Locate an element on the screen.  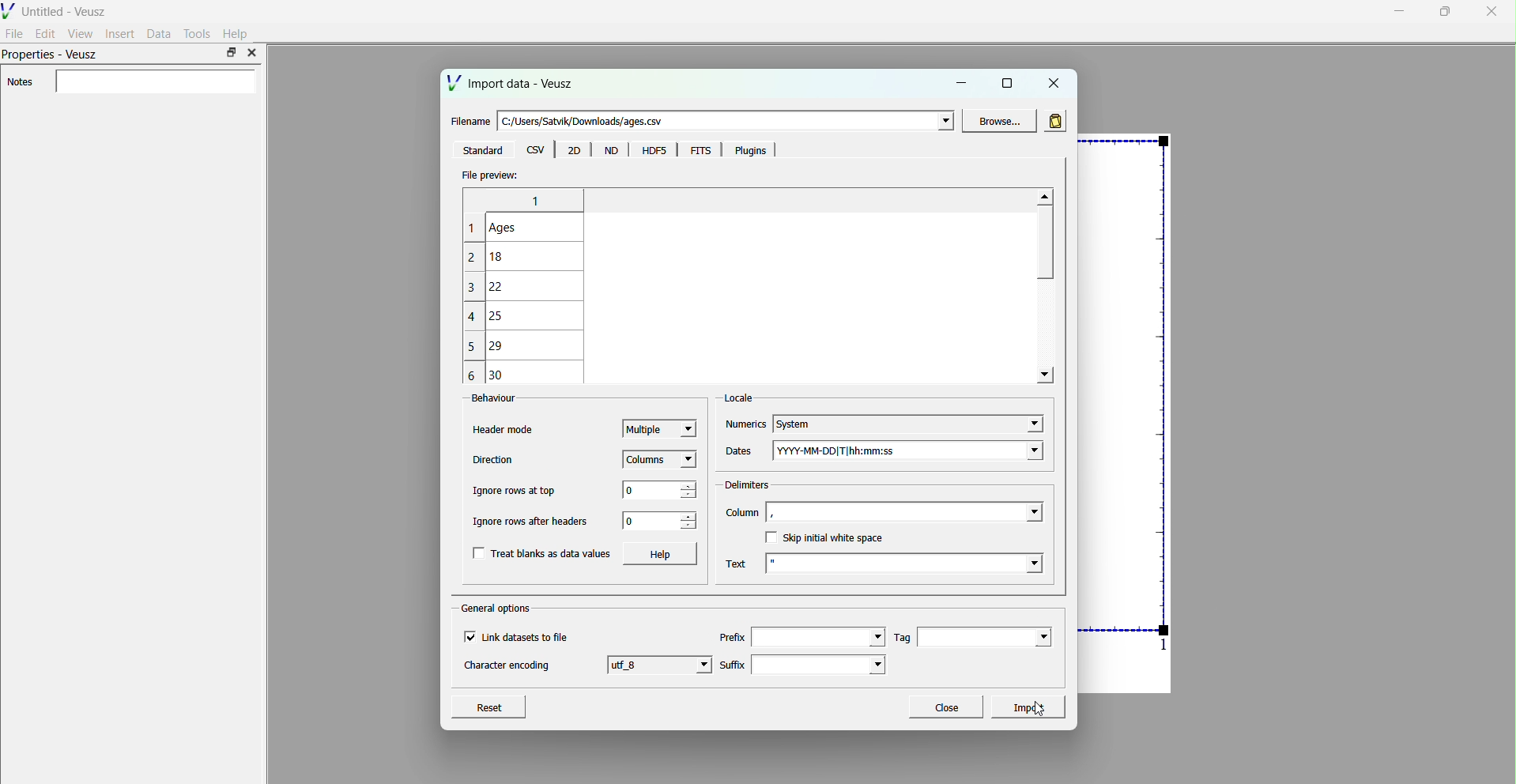
Help is located at coordinates (660, 554).